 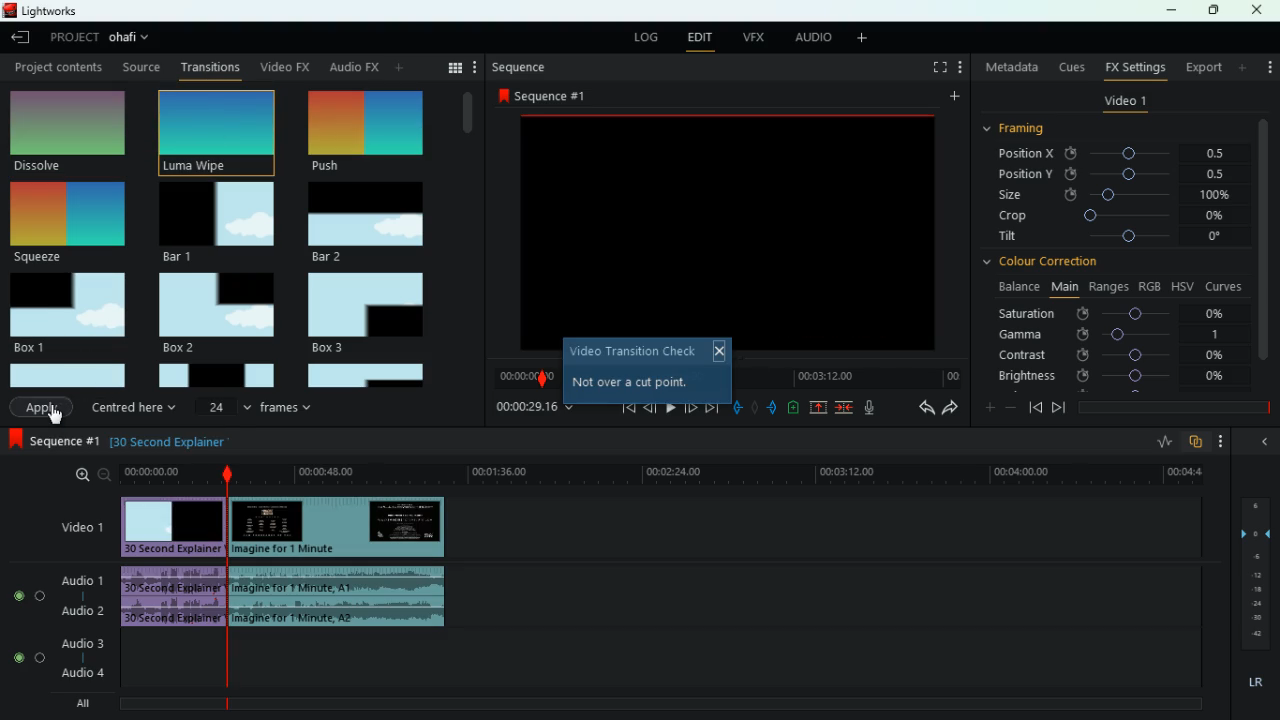 I want to click on metadata, so click(x=1012, y=67).